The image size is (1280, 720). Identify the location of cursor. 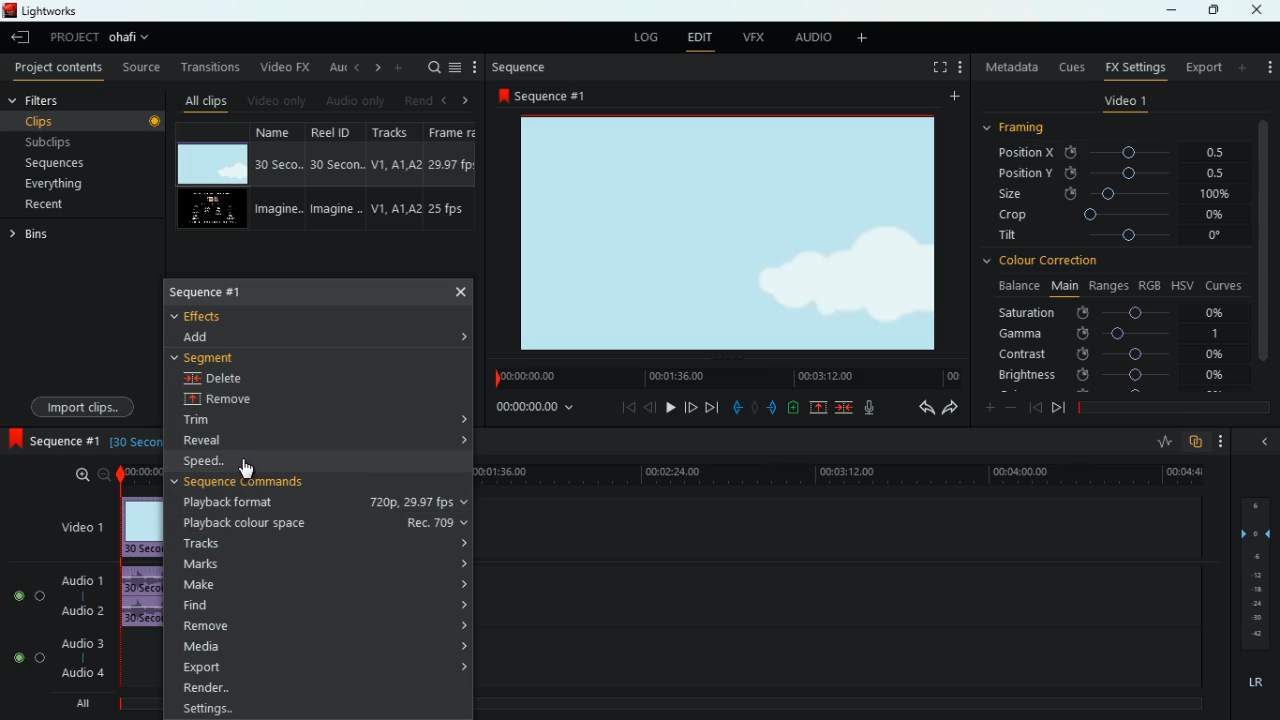
(250, 472).